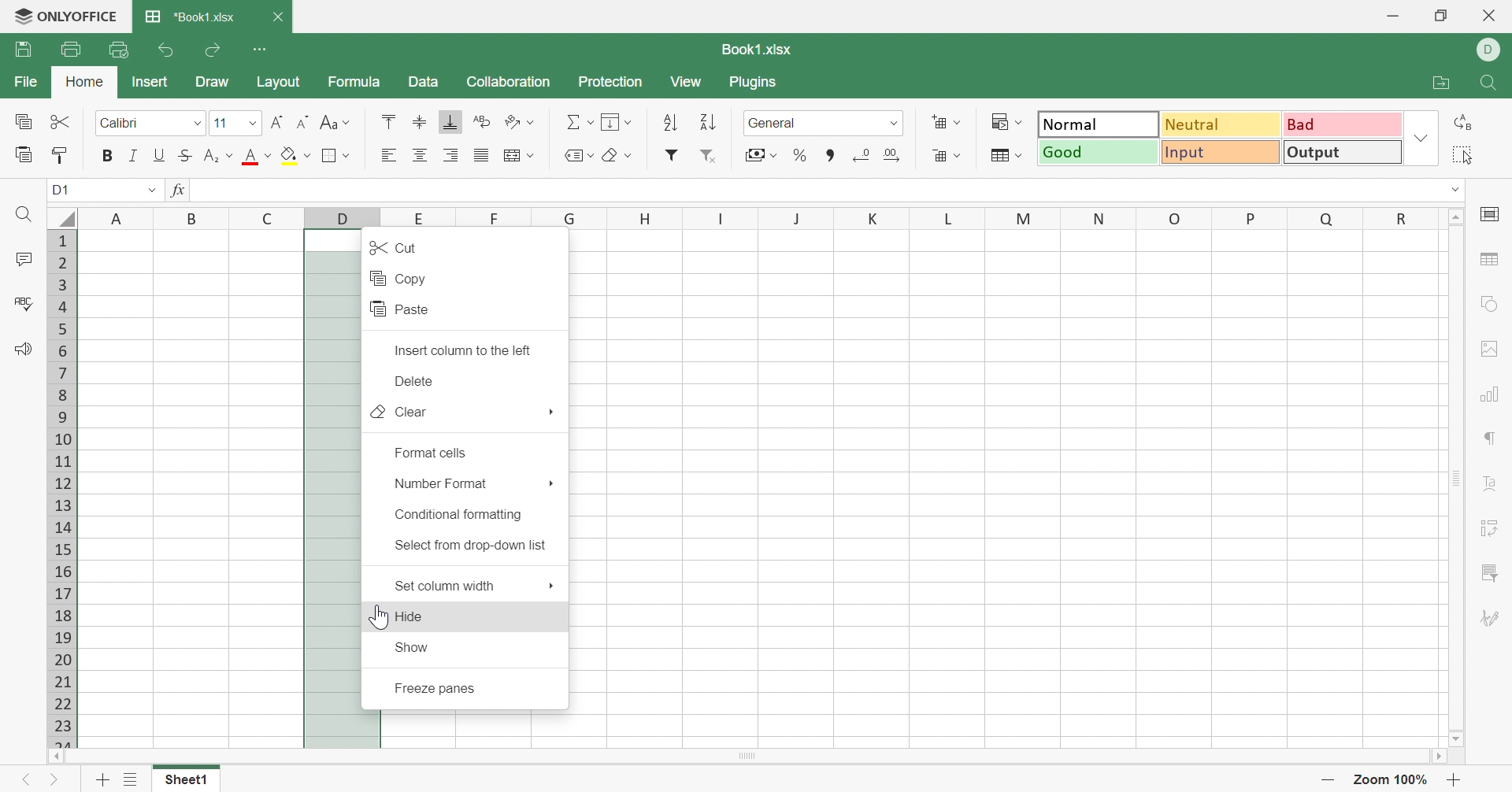 This screenshot has height=792, width=1512. I want to click on List of sheets, so click(132, 779).